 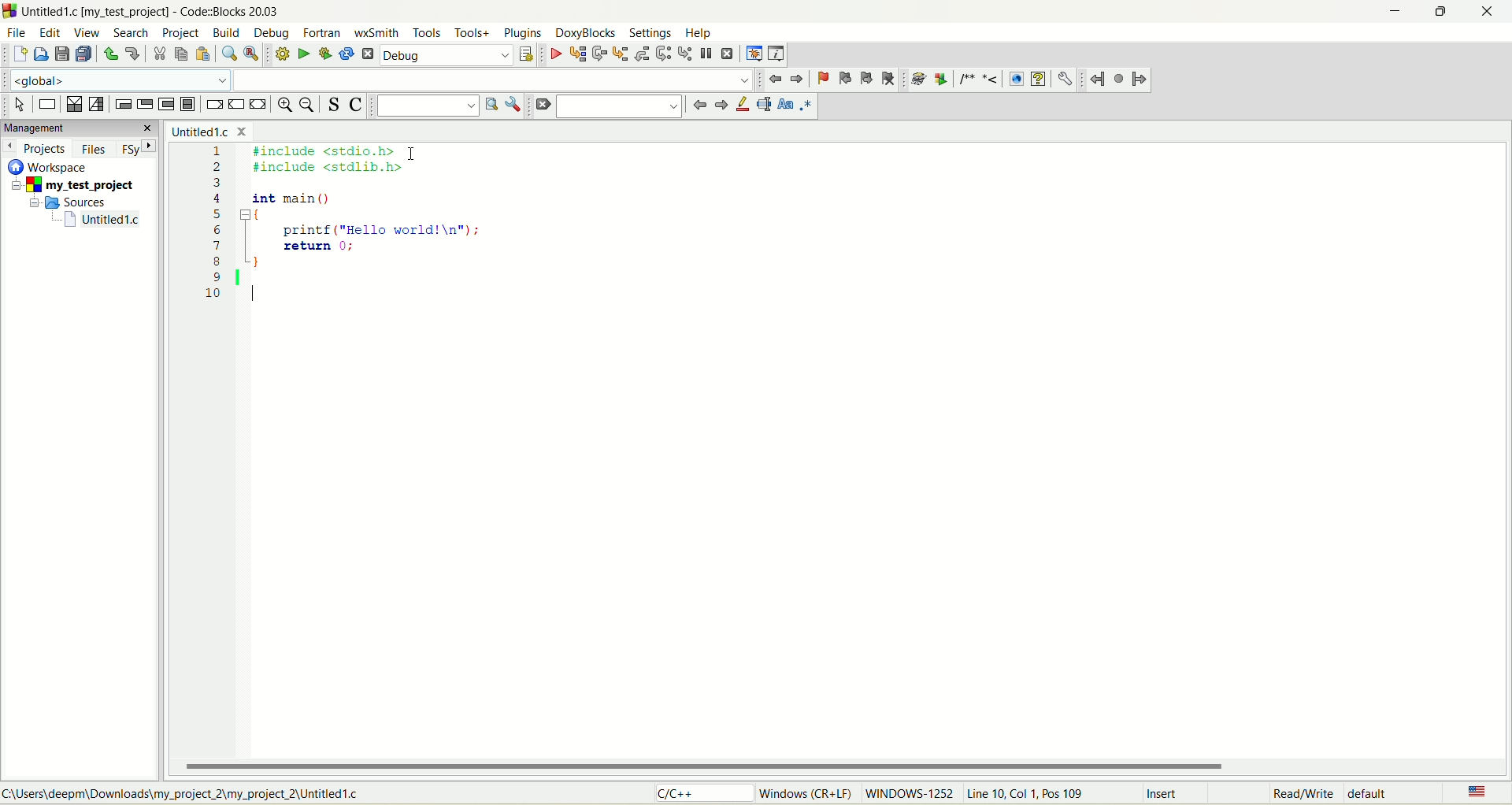 I want to click on settings, so click(x=653, y=33).